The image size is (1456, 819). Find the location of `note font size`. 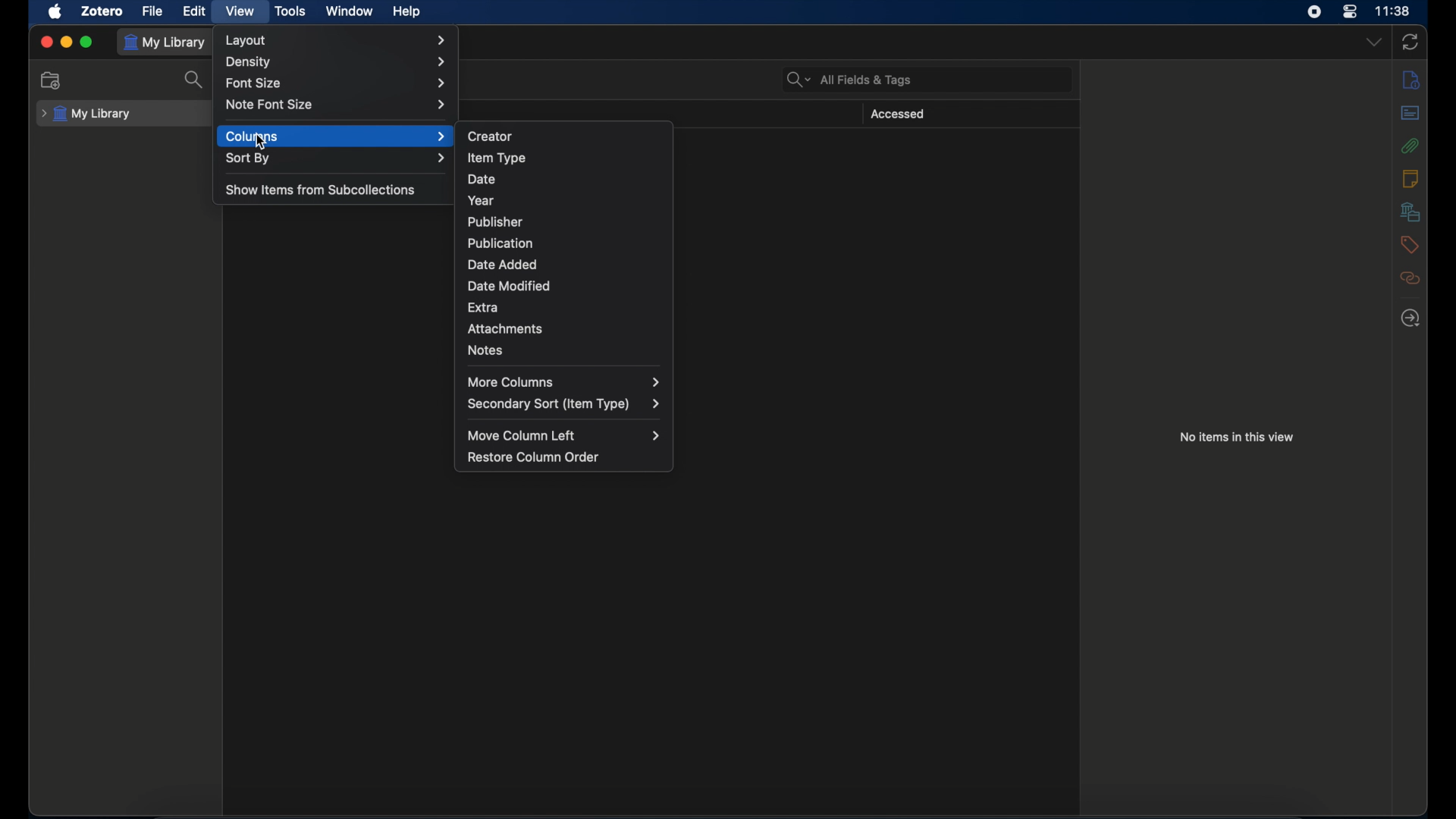

note font size is located at coordinates (337, 105).